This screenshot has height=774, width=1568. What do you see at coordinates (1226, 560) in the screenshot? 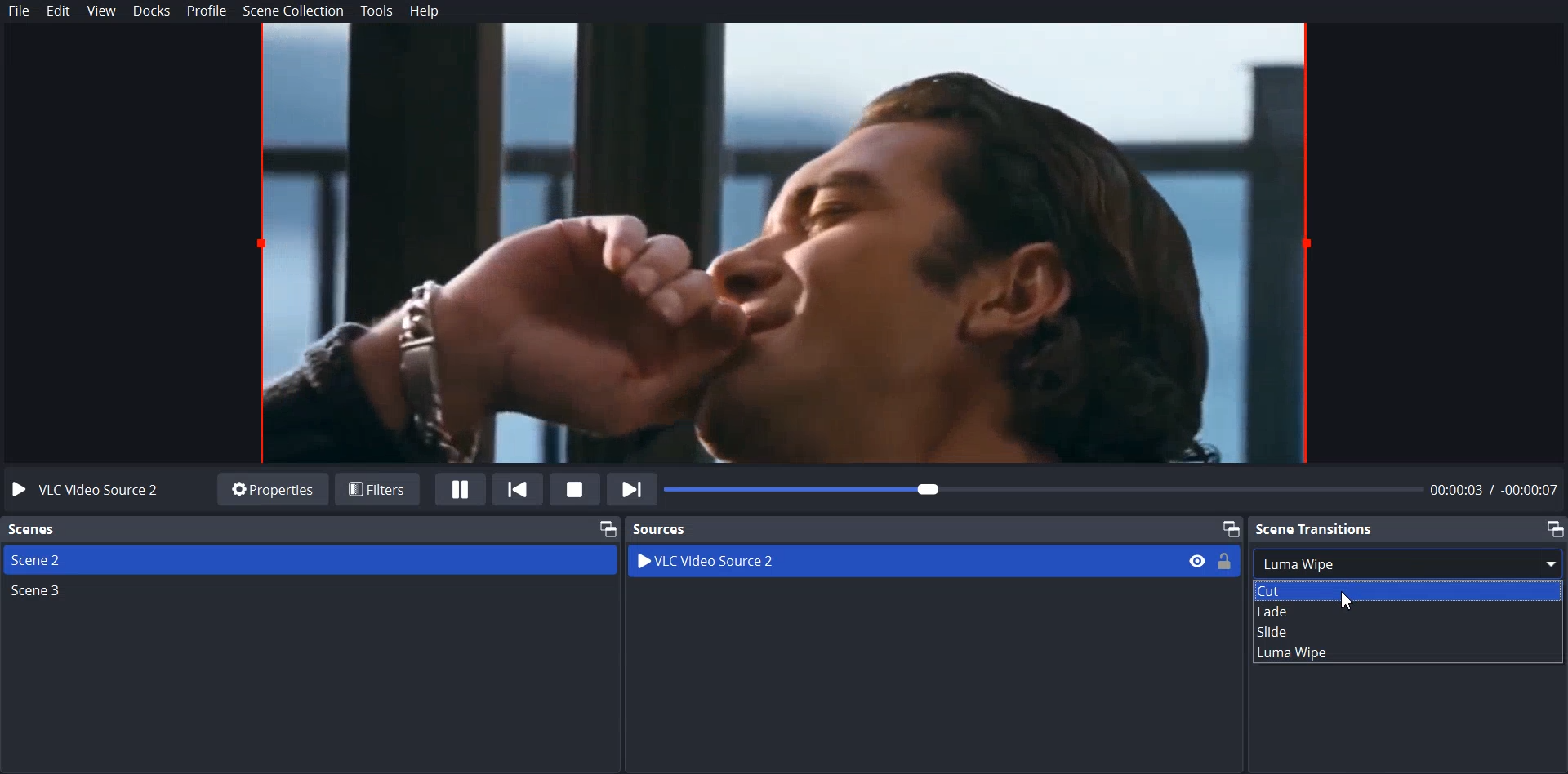
I see `Lock` at bounding box center [1226, 560].